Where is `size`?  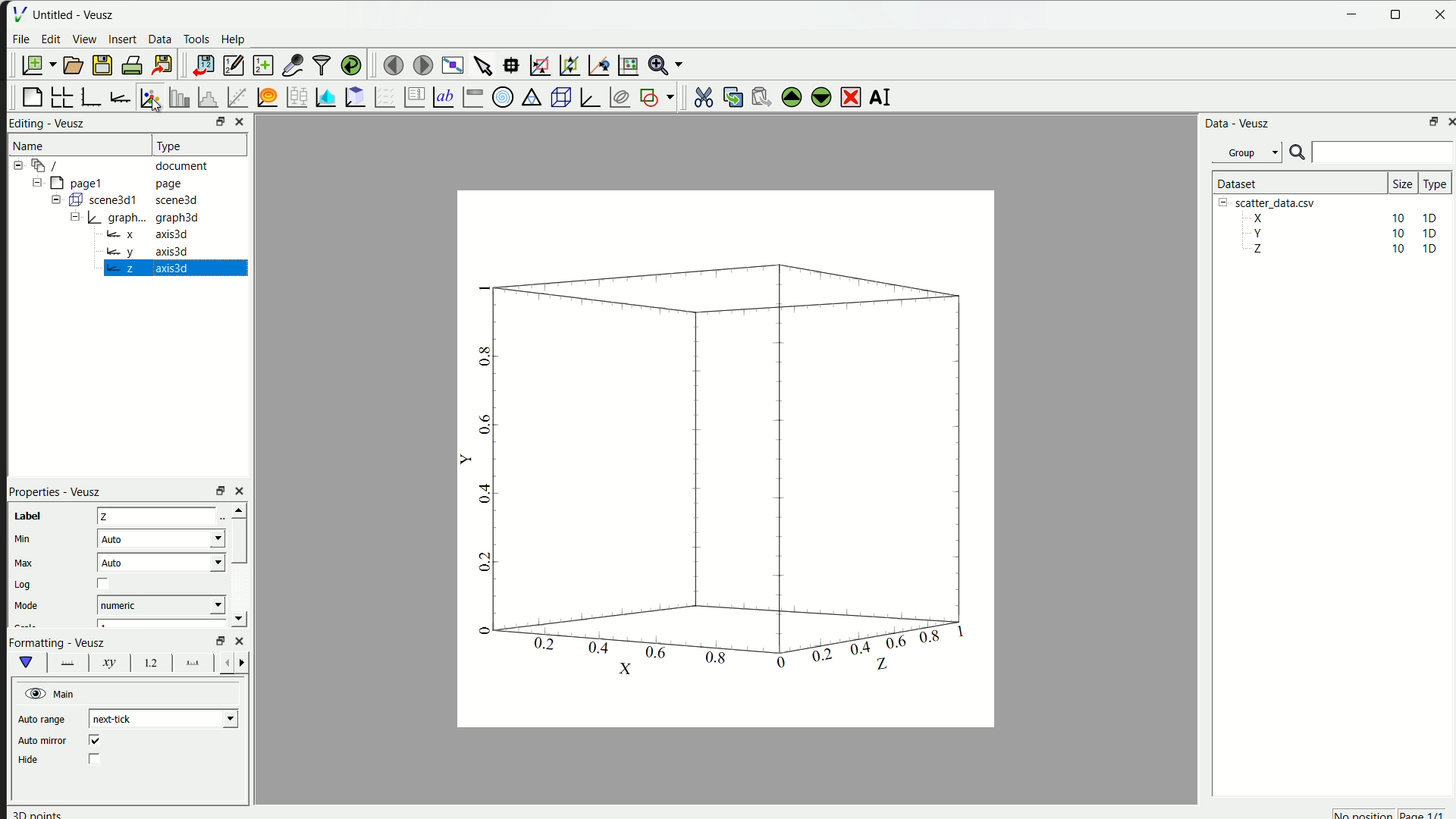
size is located at coordinates (1398, 180).